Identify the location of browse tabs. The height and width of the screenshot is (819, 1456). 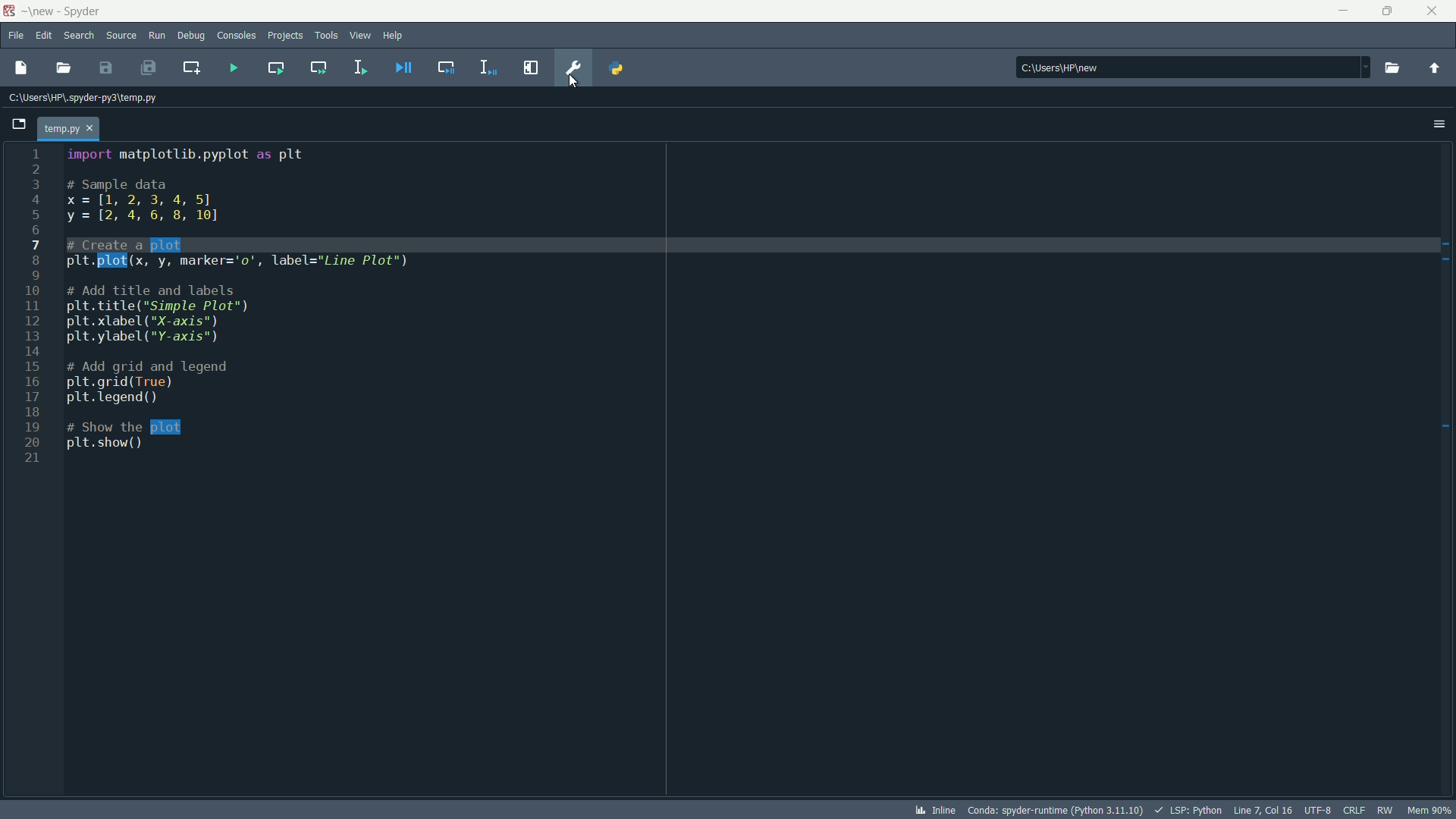
(20, 124).